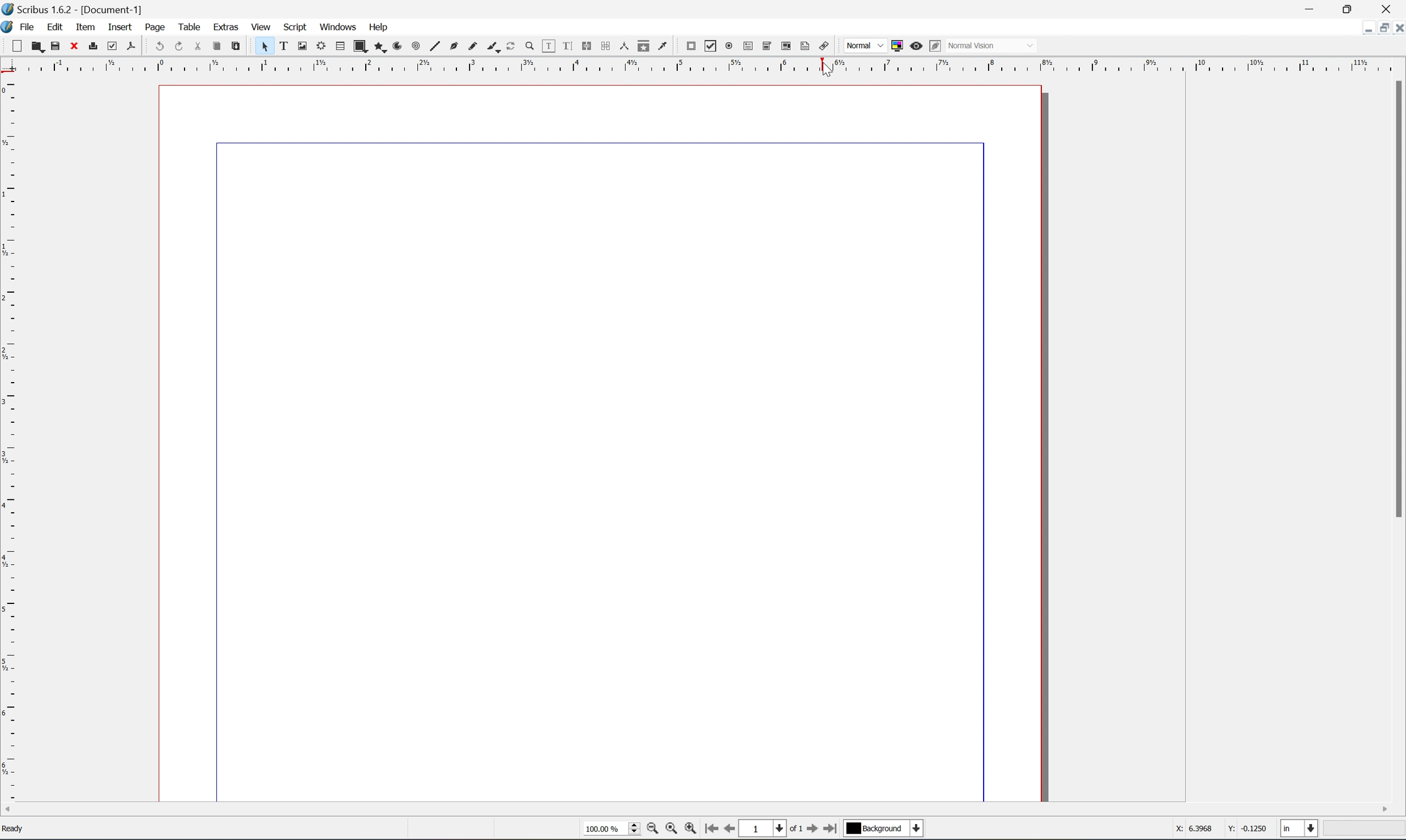 The width and height of the screenshot is (1406, 840). Describe the element at coordinates (182, 45) in the screenshot. I see `redo` at that location.